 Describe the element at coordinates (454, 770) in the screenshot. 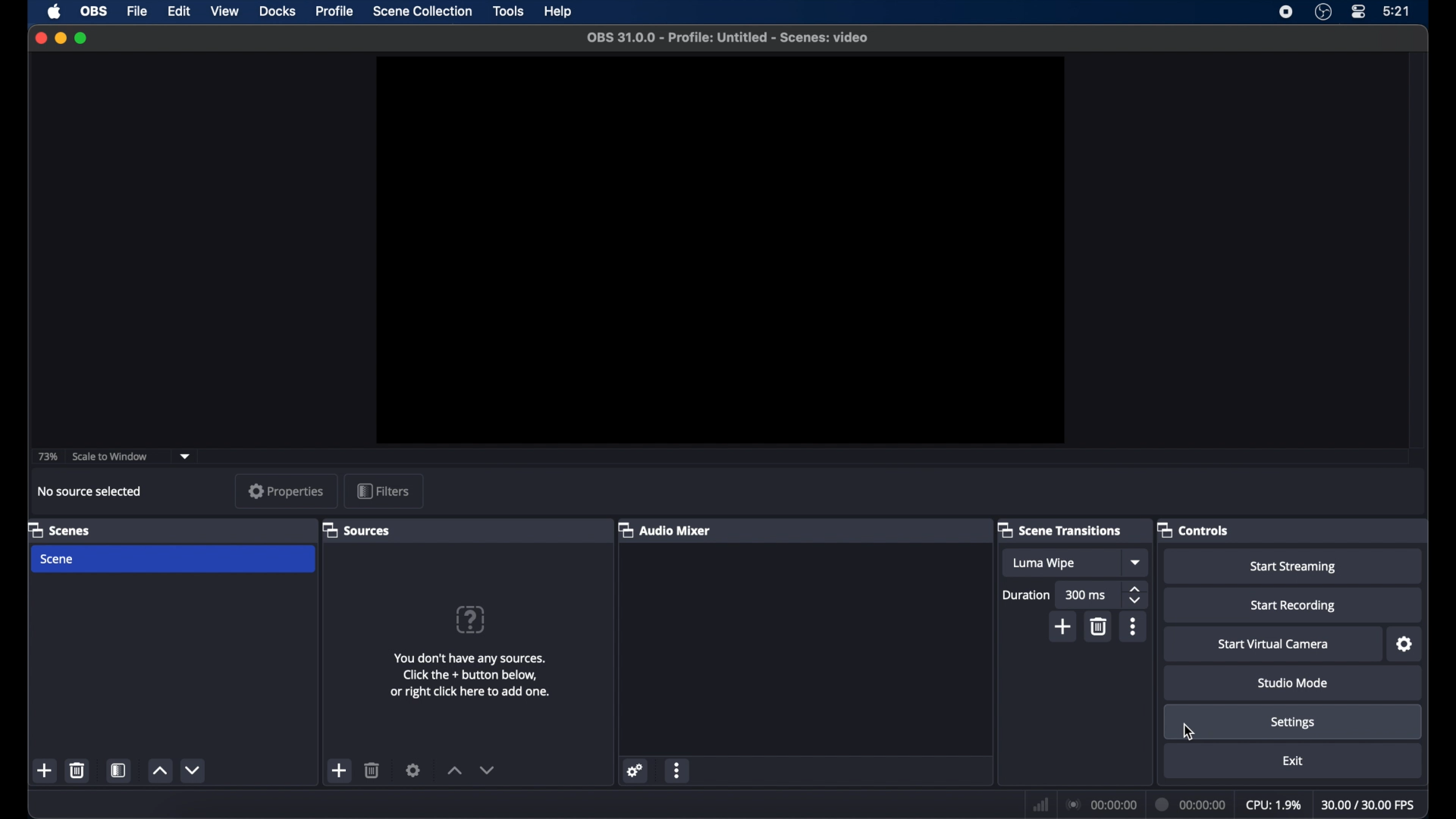

I see `increment` at that location.